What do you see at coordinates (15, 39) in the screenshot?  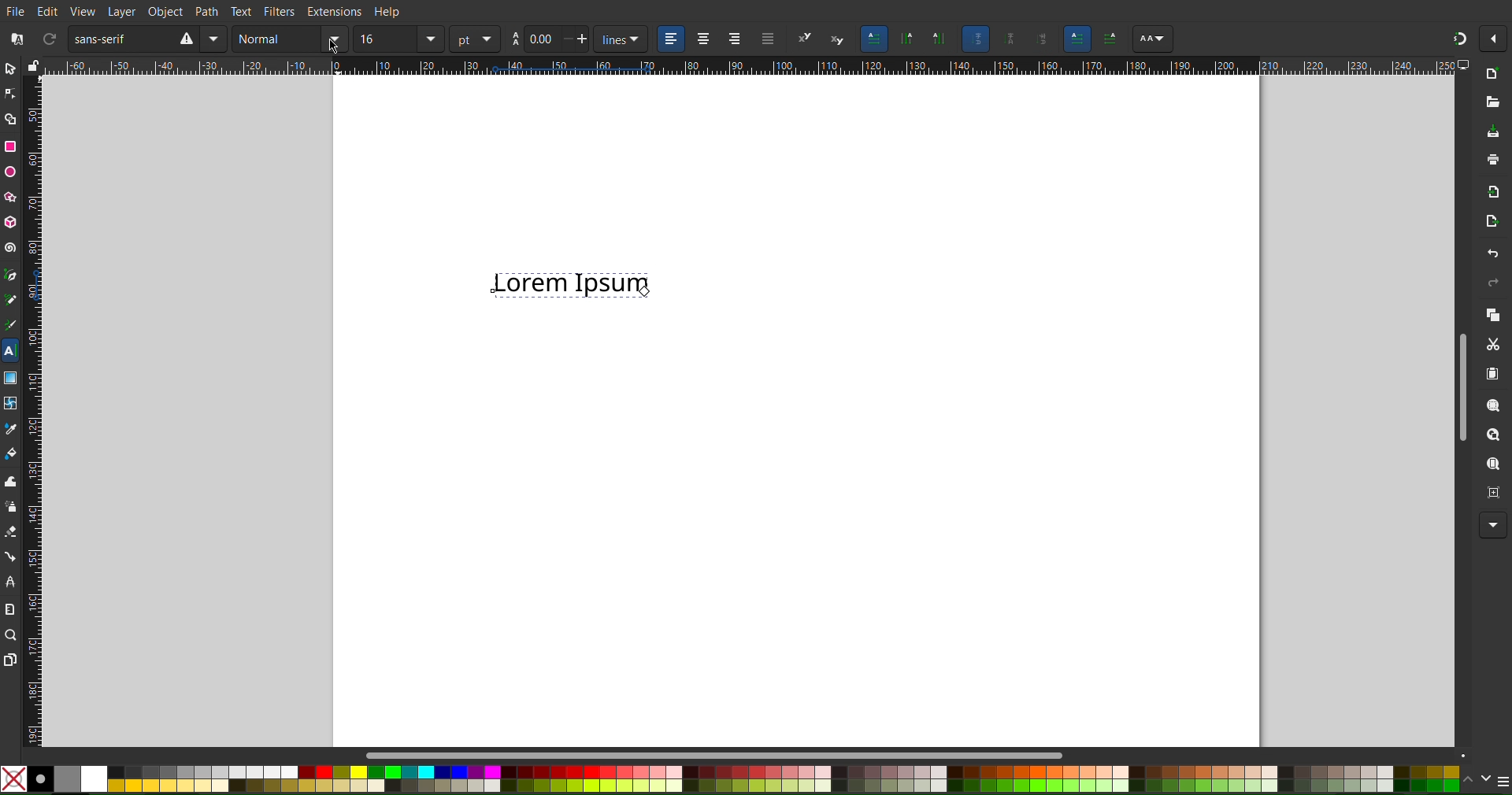 I see `Font Collection` at bounding box center [15, 39].